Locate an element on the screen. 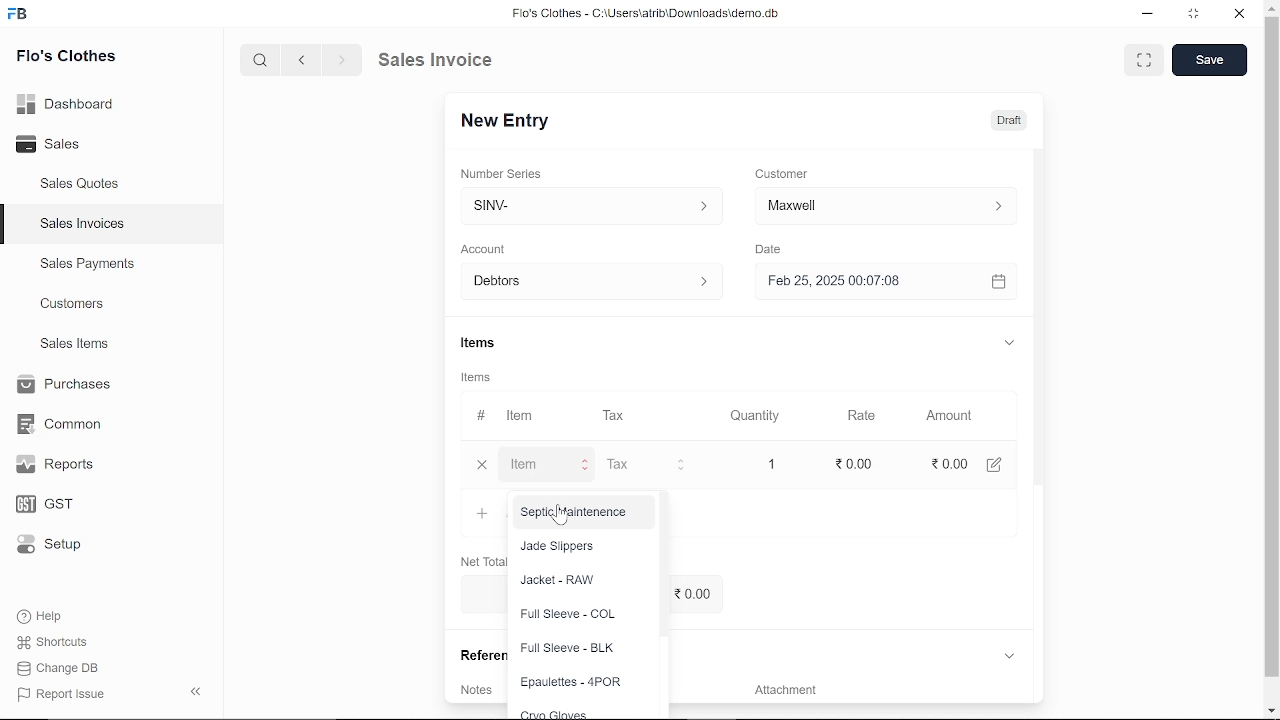 This screenshot has height=720, width=1280. cursor is located at coordinates (560, 516).